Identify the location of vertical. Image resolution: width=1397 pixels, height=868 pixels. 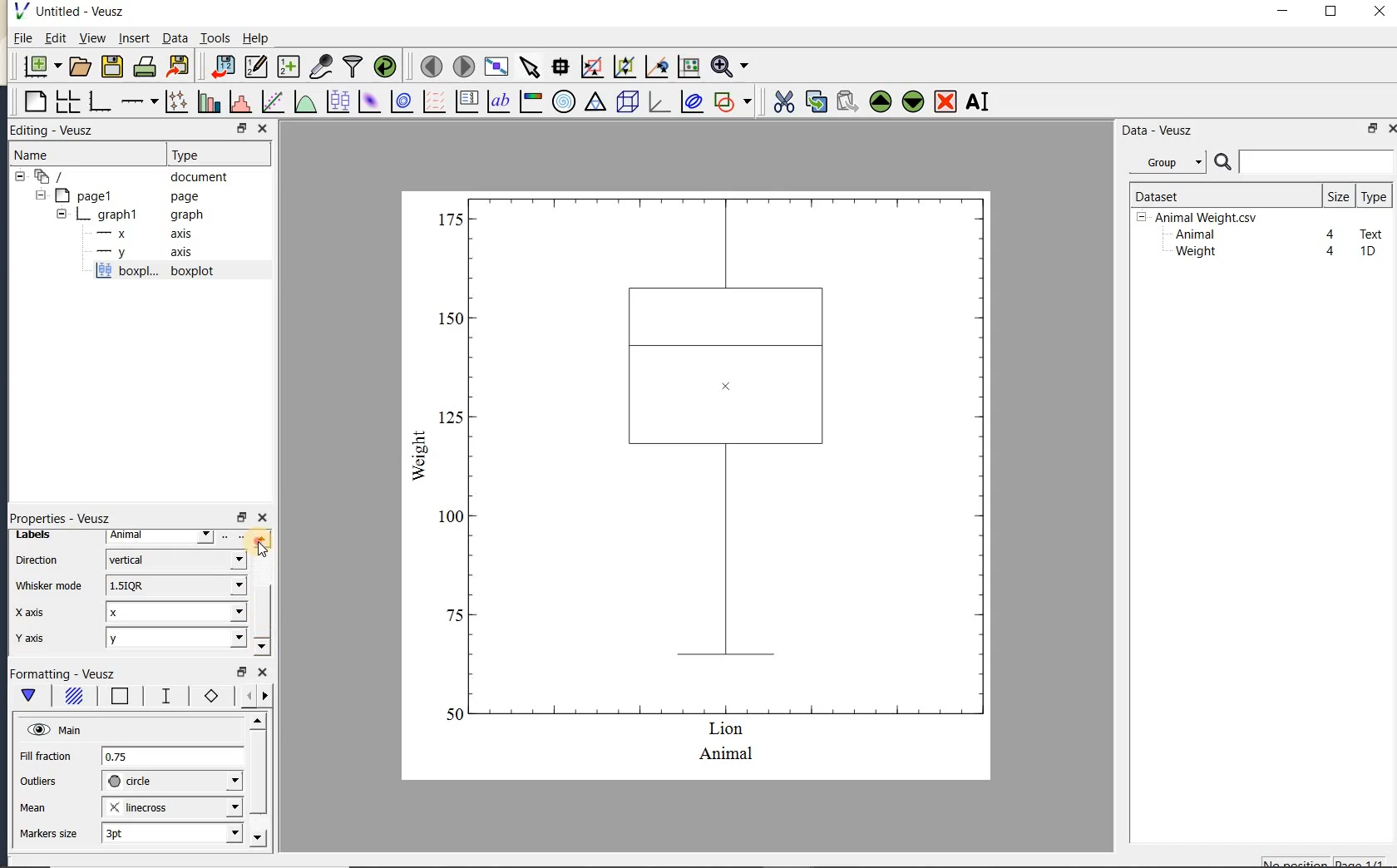
(175, 558).